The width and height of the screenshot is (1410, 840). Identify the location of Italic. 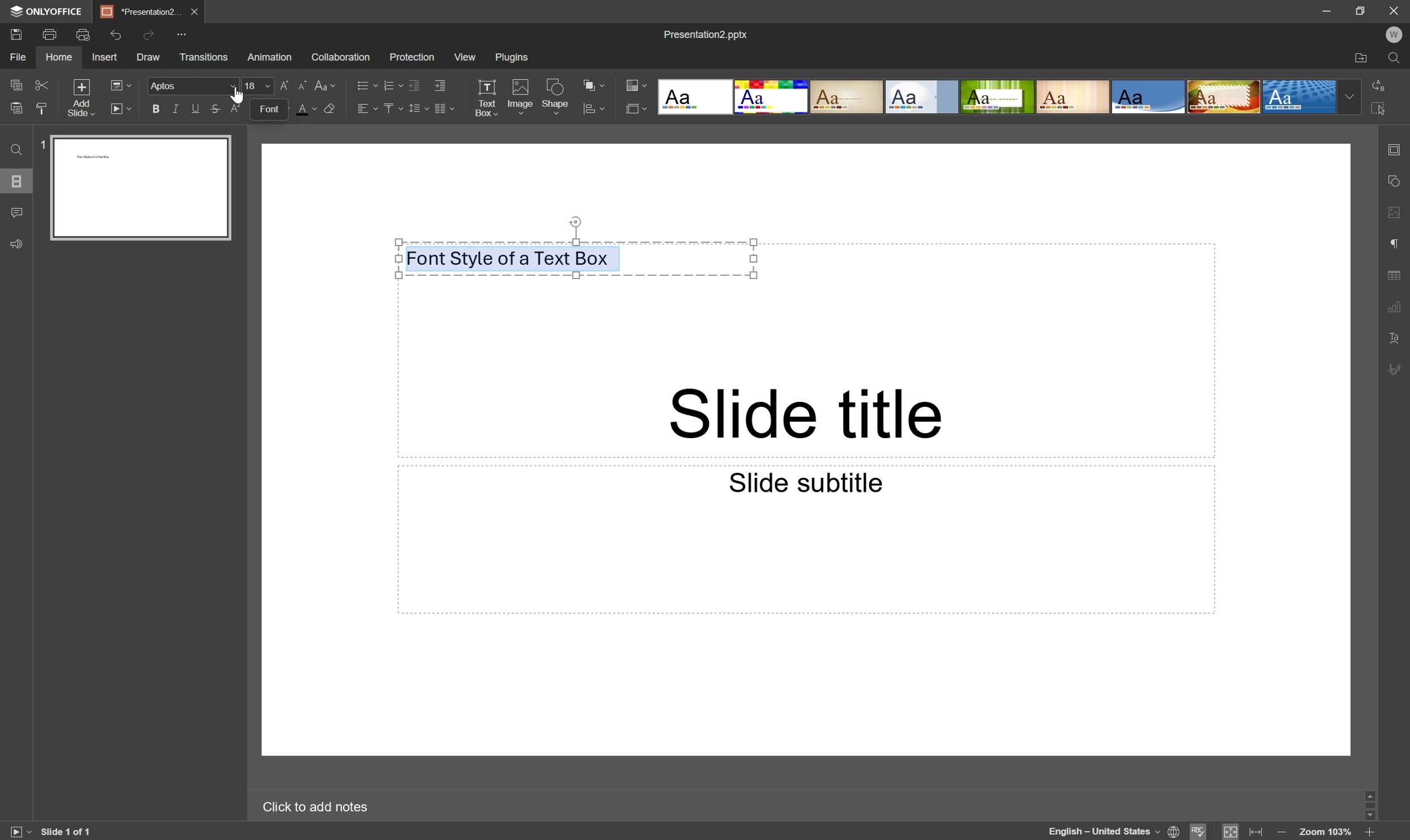
(176, 109).